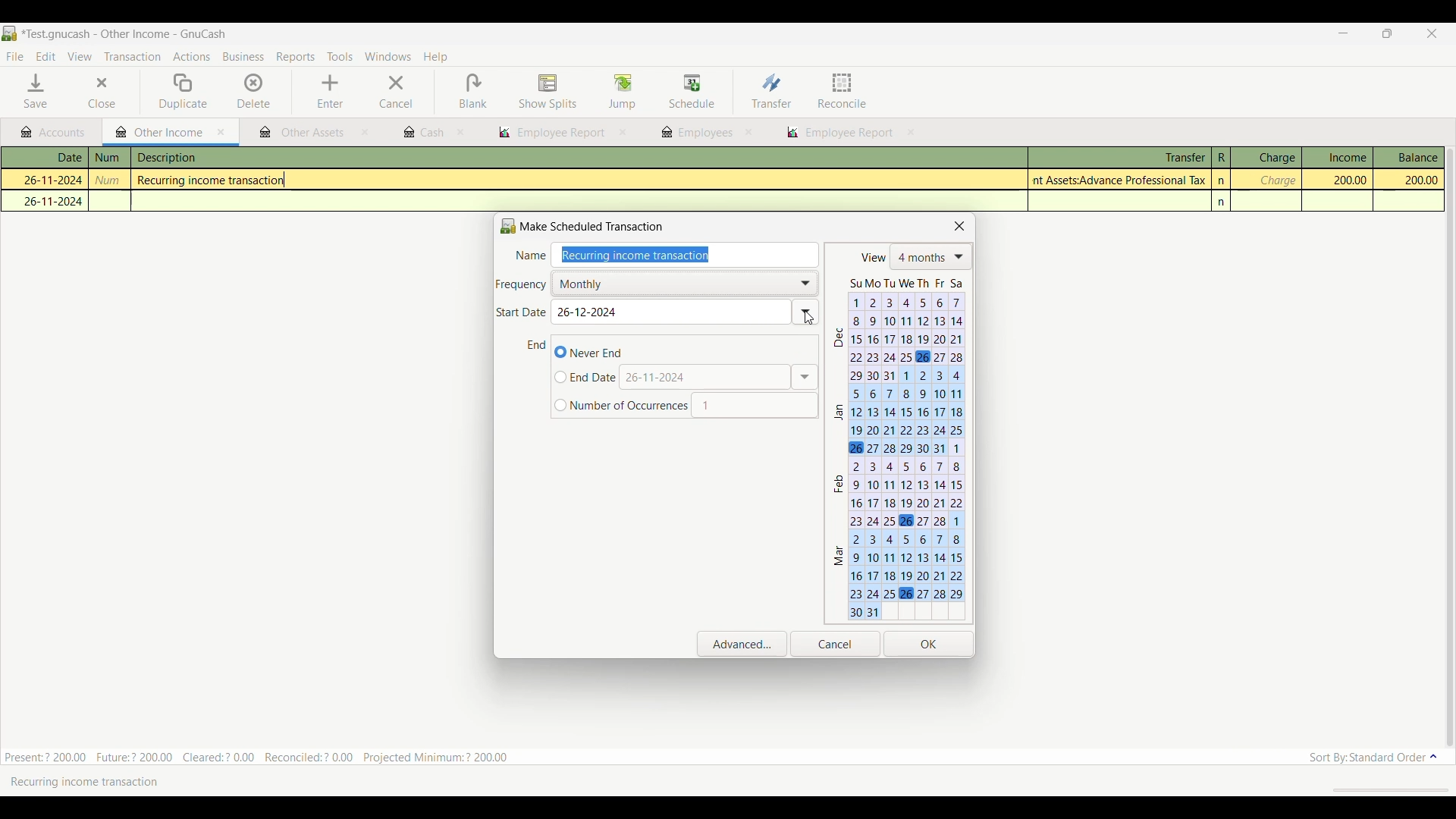  Describe the element at coordinates (1409, 180) in the screenshot. I see `200.00` at that location.